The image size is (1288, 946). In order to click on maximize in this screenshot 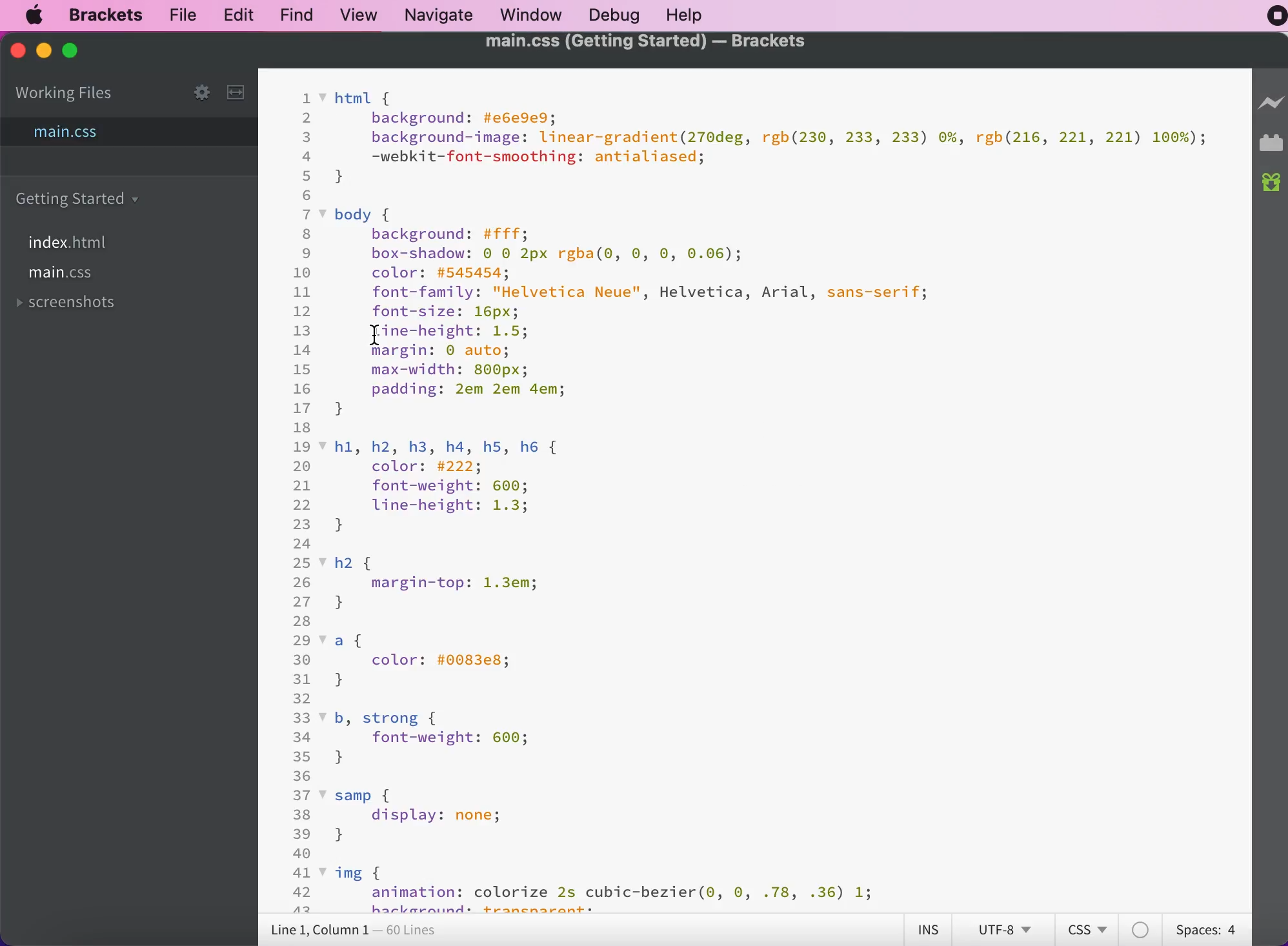, I will do `click(77, 55)`.